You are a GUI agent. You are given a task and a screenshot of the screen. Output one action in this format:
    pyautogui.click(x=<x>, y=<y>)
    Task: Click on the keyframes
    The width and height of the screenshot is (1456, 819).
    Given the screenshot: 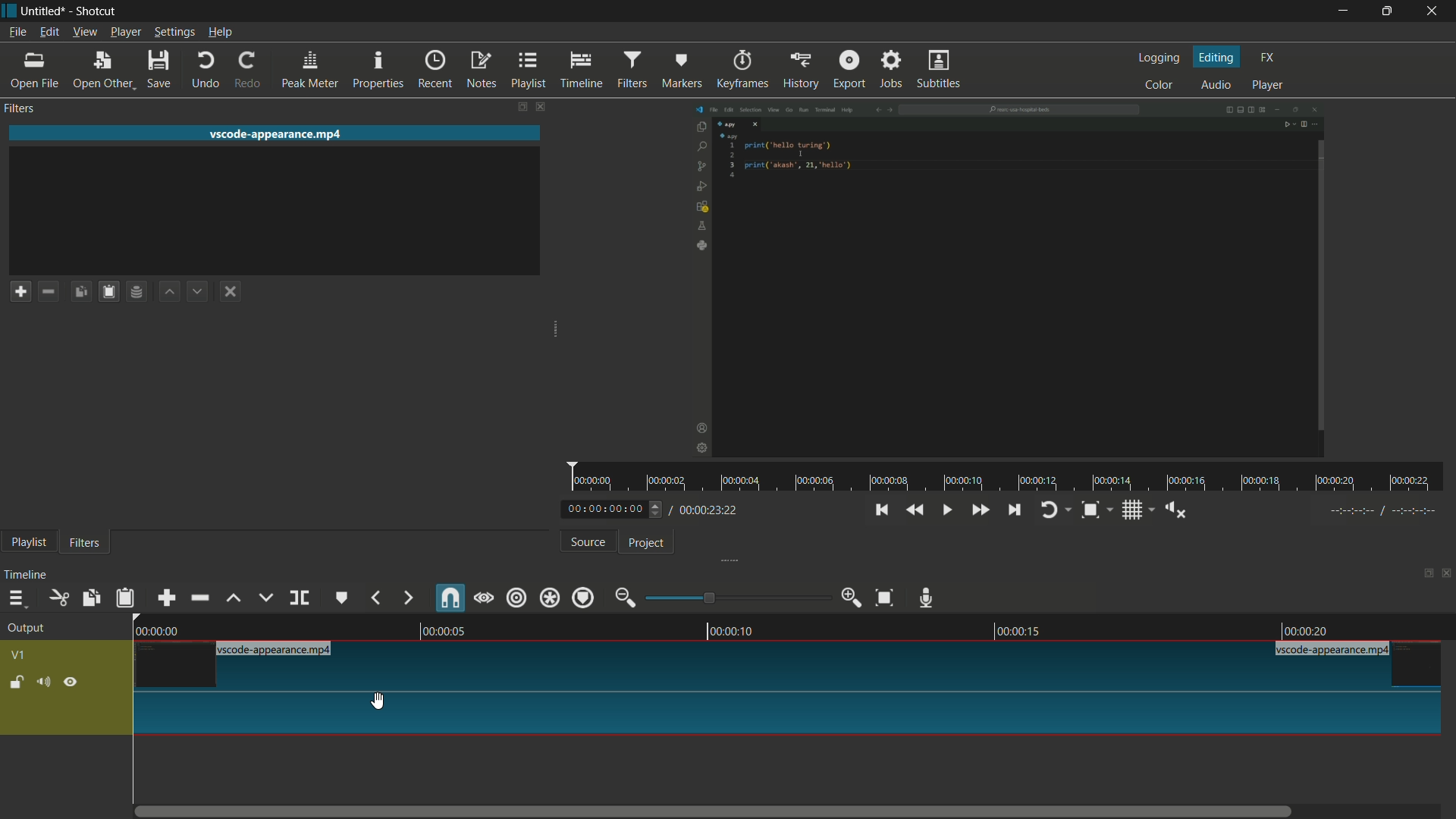 What is the action you would take?
    pyautogui.click(x=743, y=70)
    